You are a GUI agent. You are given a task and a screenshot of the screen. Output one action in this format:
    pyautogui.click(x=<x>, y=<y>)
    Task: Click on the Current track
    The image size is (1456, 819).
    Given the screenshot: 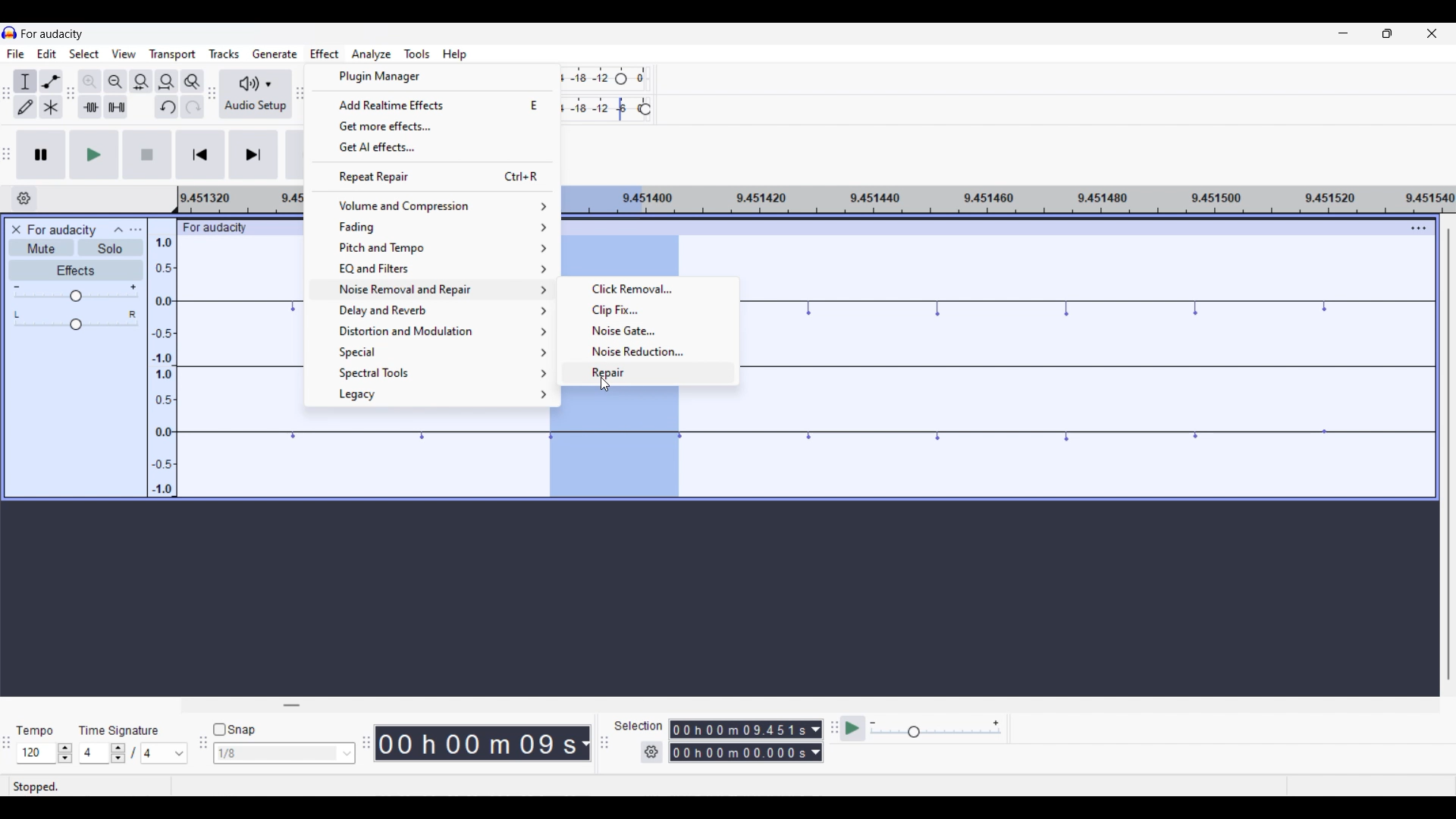 What is the action you would take?
    pyautogui.click(x=242, y=366)
    